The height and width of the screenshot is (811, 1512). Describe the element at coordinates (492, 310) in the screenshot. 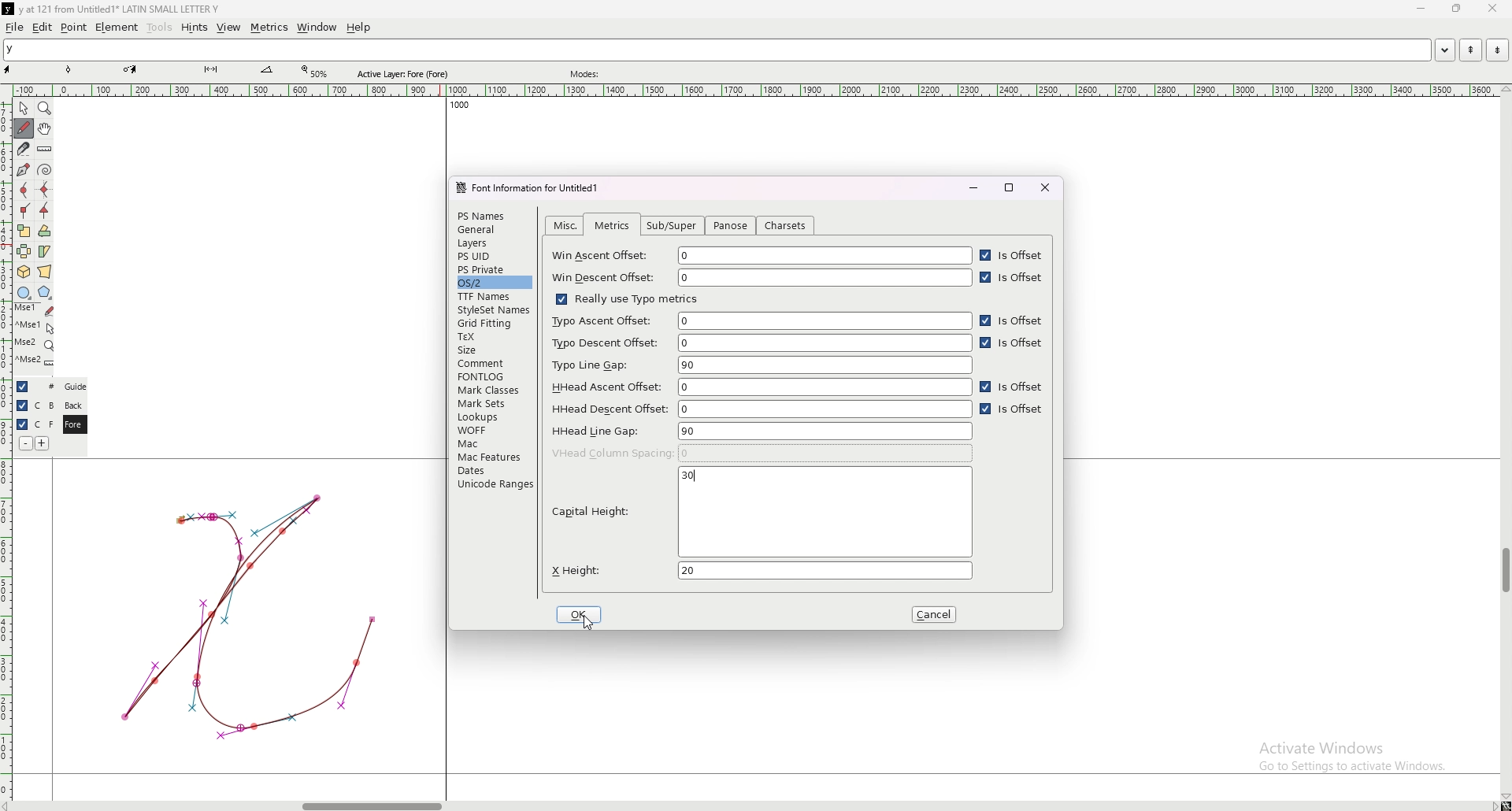

I see `style set names` at that location.